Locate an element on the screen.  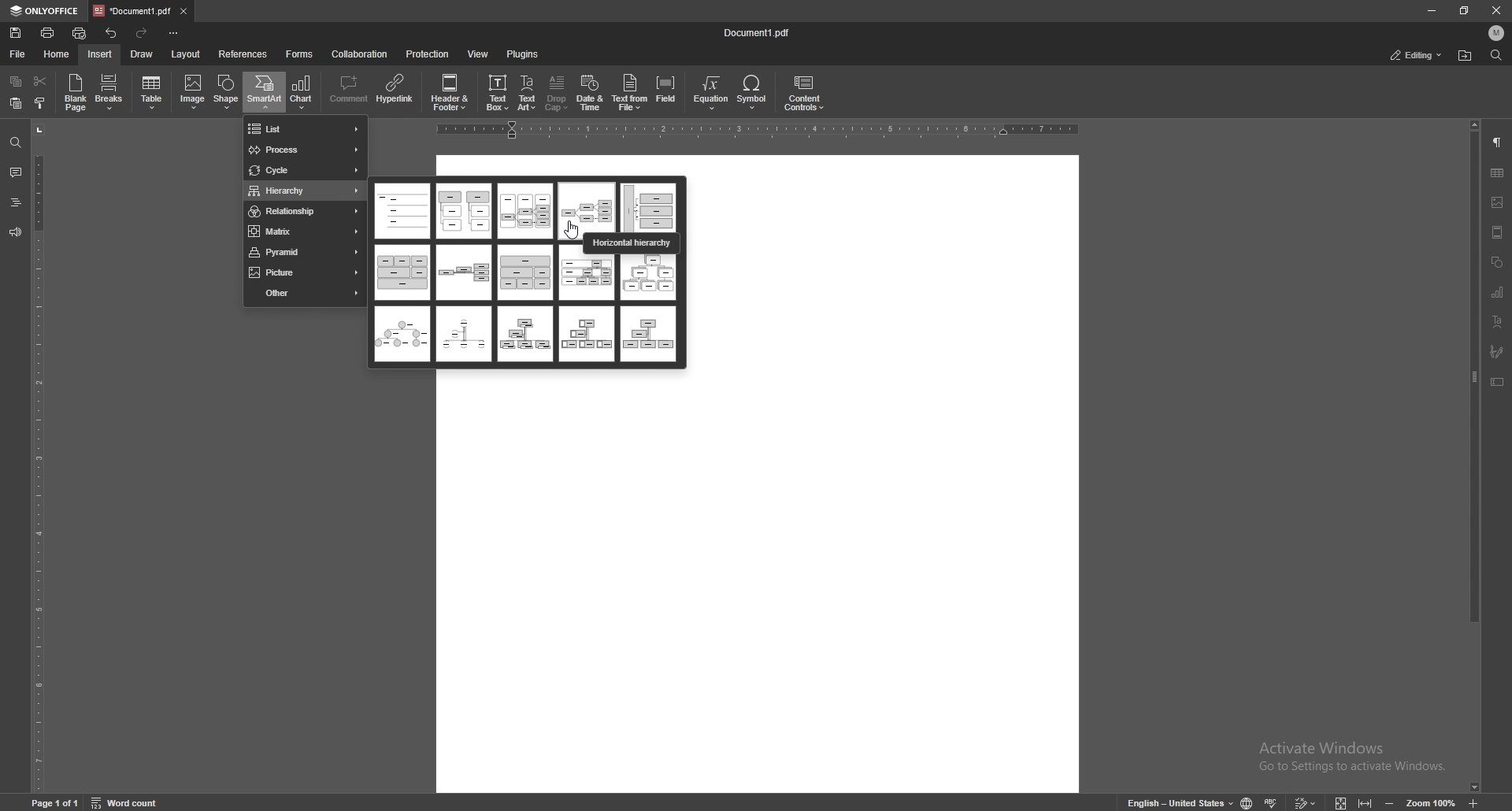
word count is located at coordinates (127, 801).